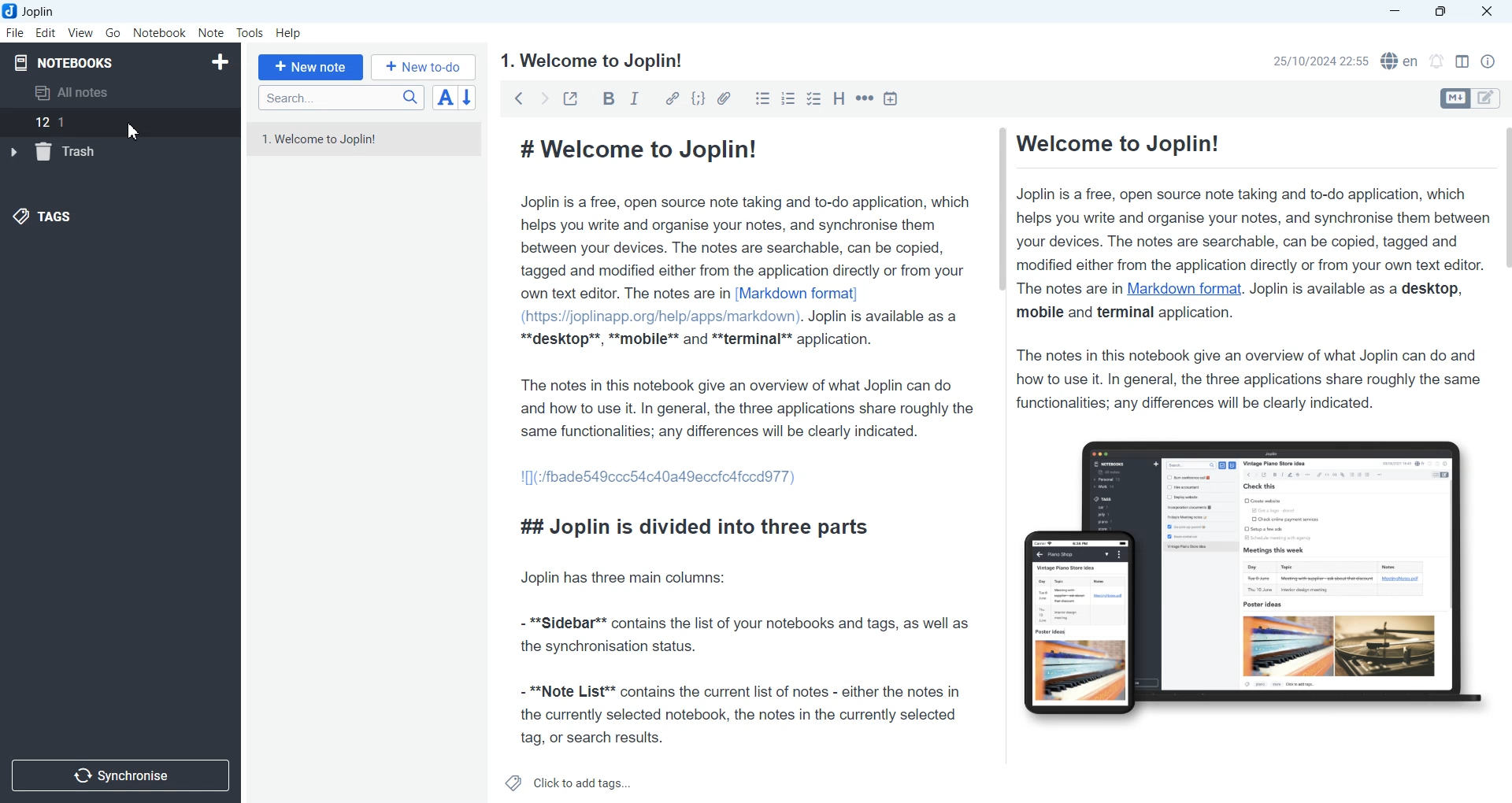 The height and width of the screenshot is (803, 1512). Describe the element at coordinates (250, 33) in the screenshot. I see `Tools` at that location.